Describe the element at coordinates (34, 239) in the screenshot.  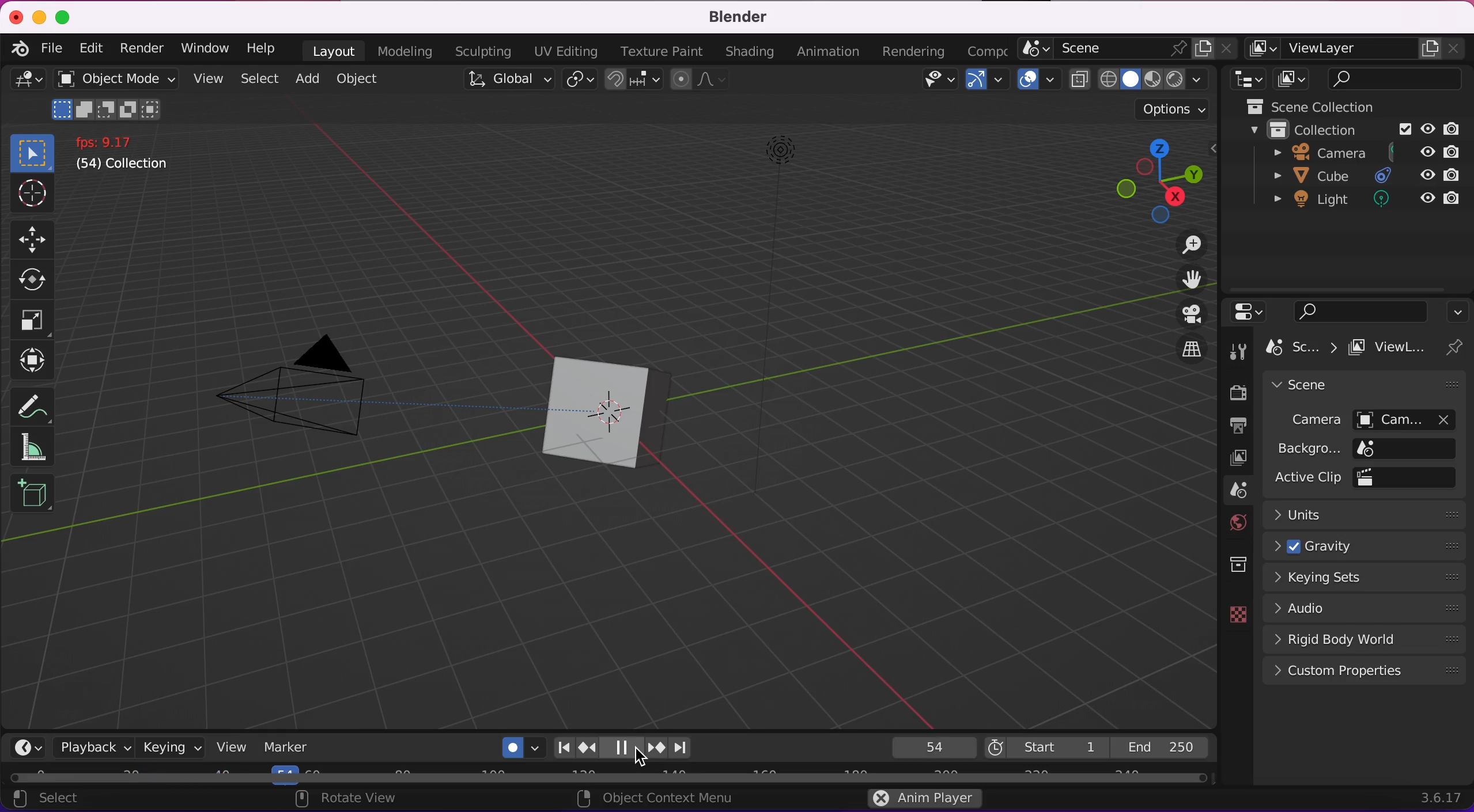
I see `move` at that location.